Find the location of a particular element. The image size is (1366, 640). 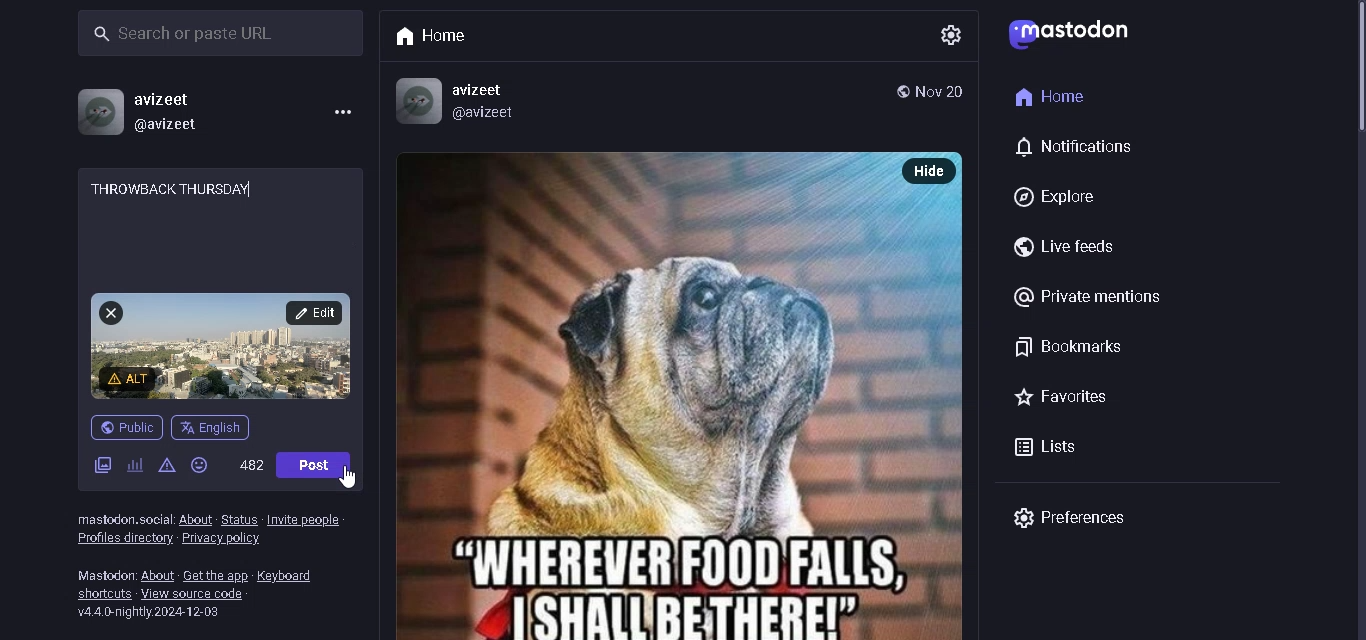

hide is located at coordinates (928, 171).